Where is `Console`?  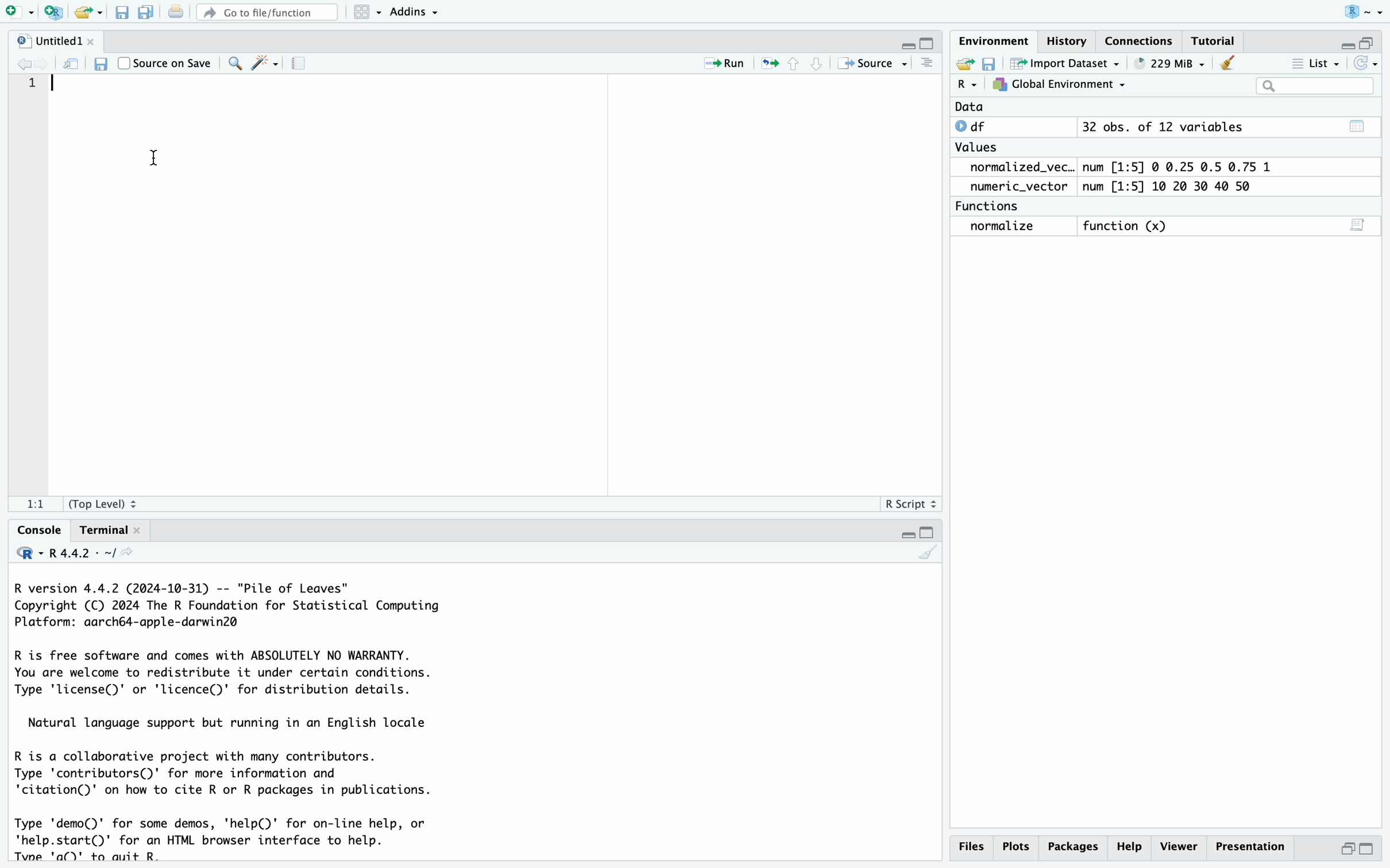 Console is located at coordinates (40, 530).